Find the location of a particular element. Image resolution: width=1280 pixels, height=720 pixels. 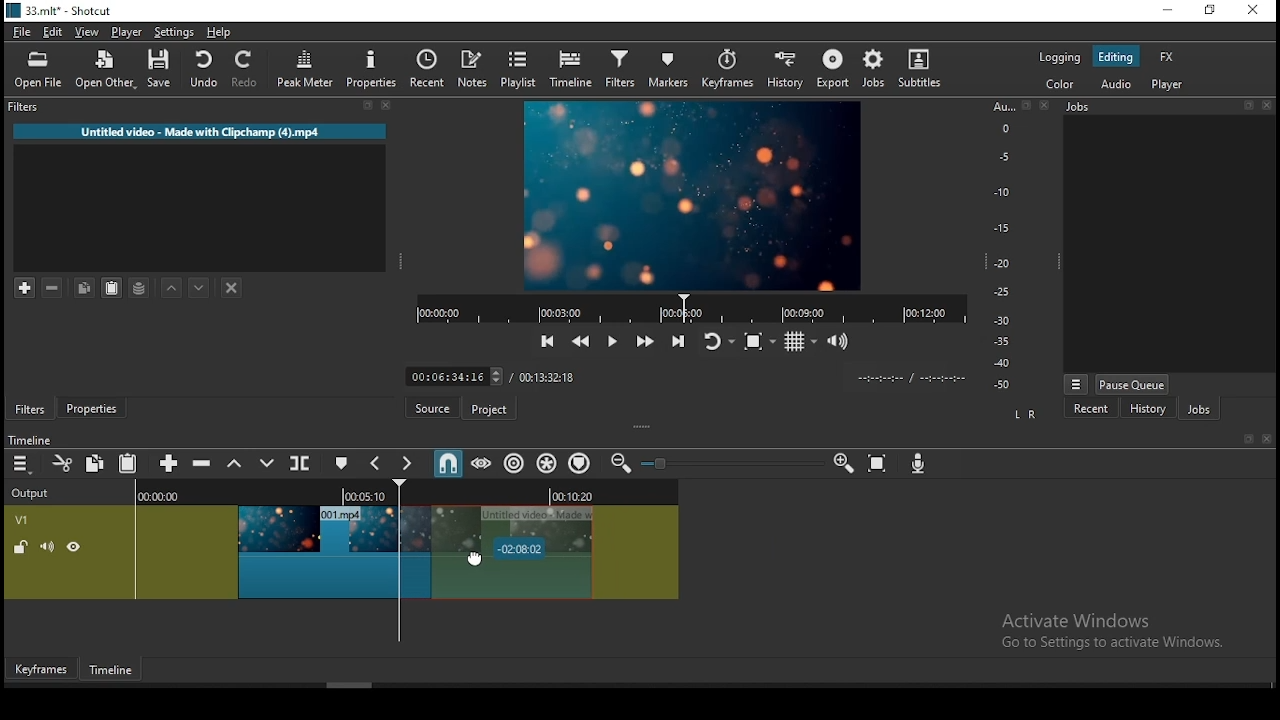

split at playhead is located at coordinates (302, 465).